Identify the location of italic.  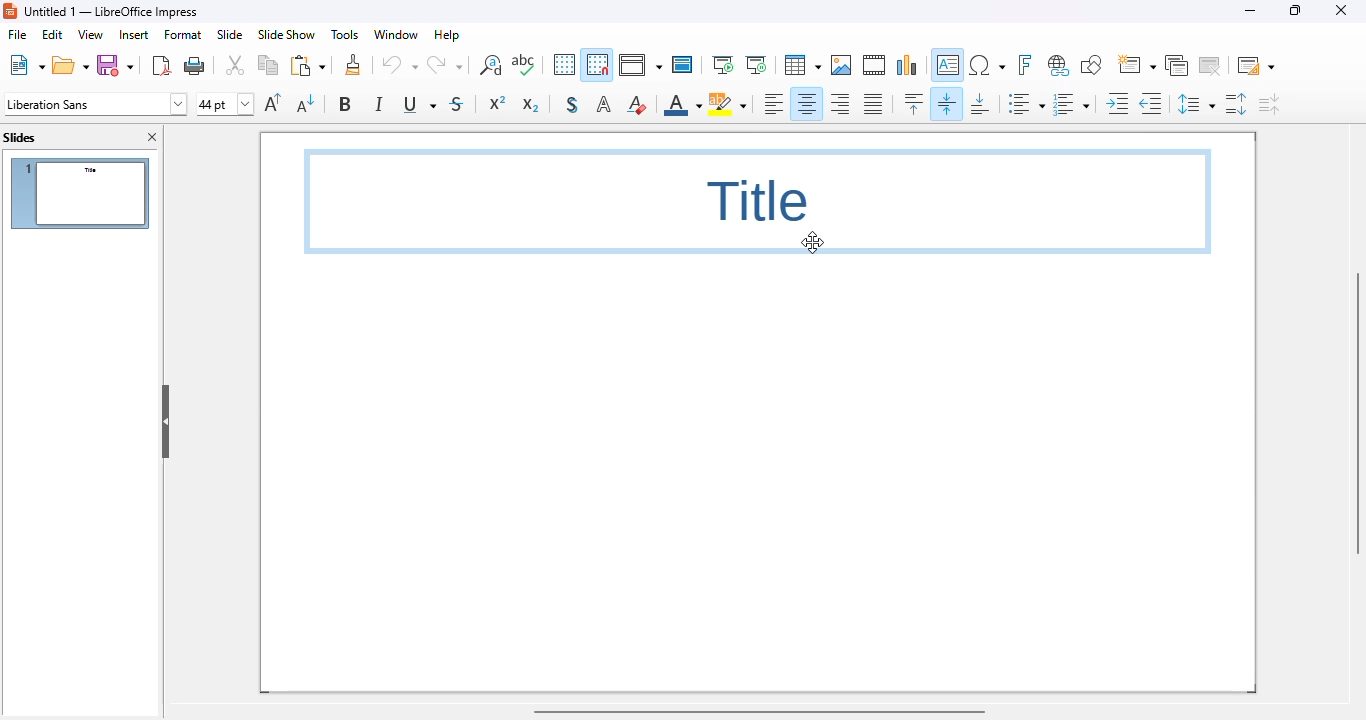
(380, 104).